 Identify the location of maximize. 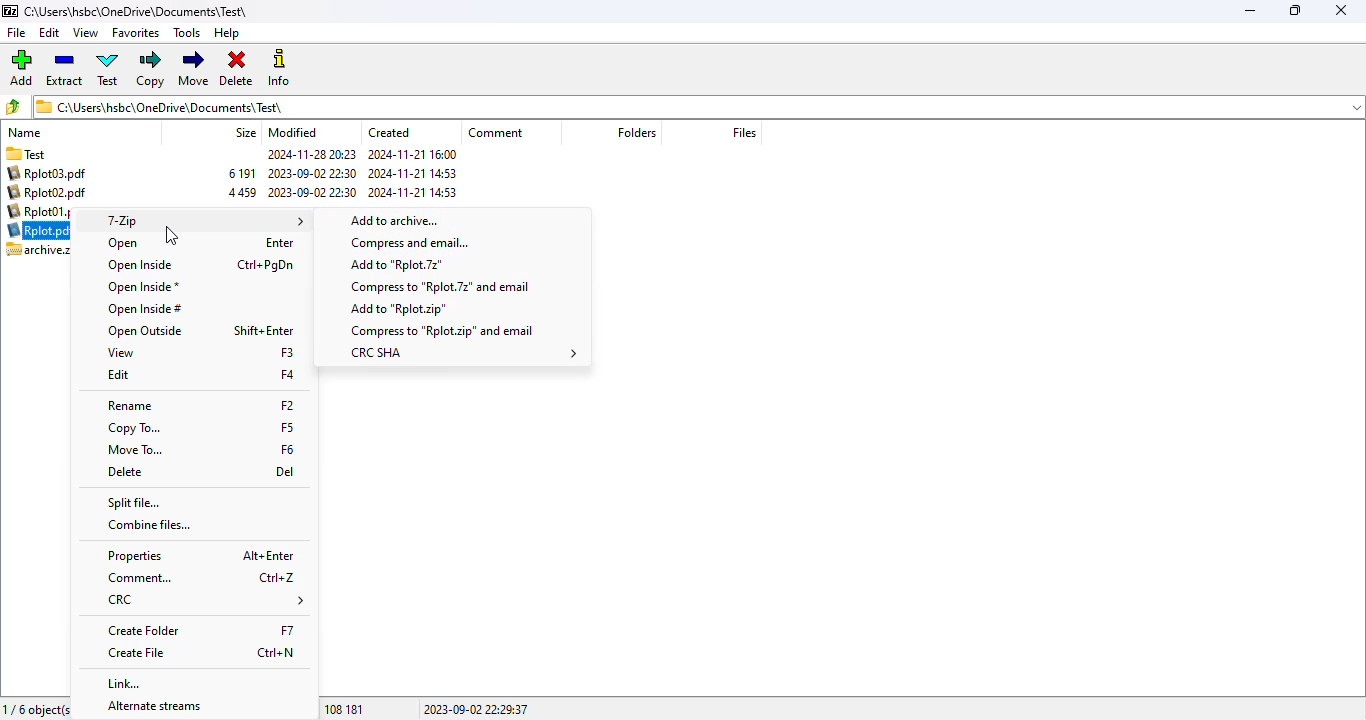
(1295, 9).